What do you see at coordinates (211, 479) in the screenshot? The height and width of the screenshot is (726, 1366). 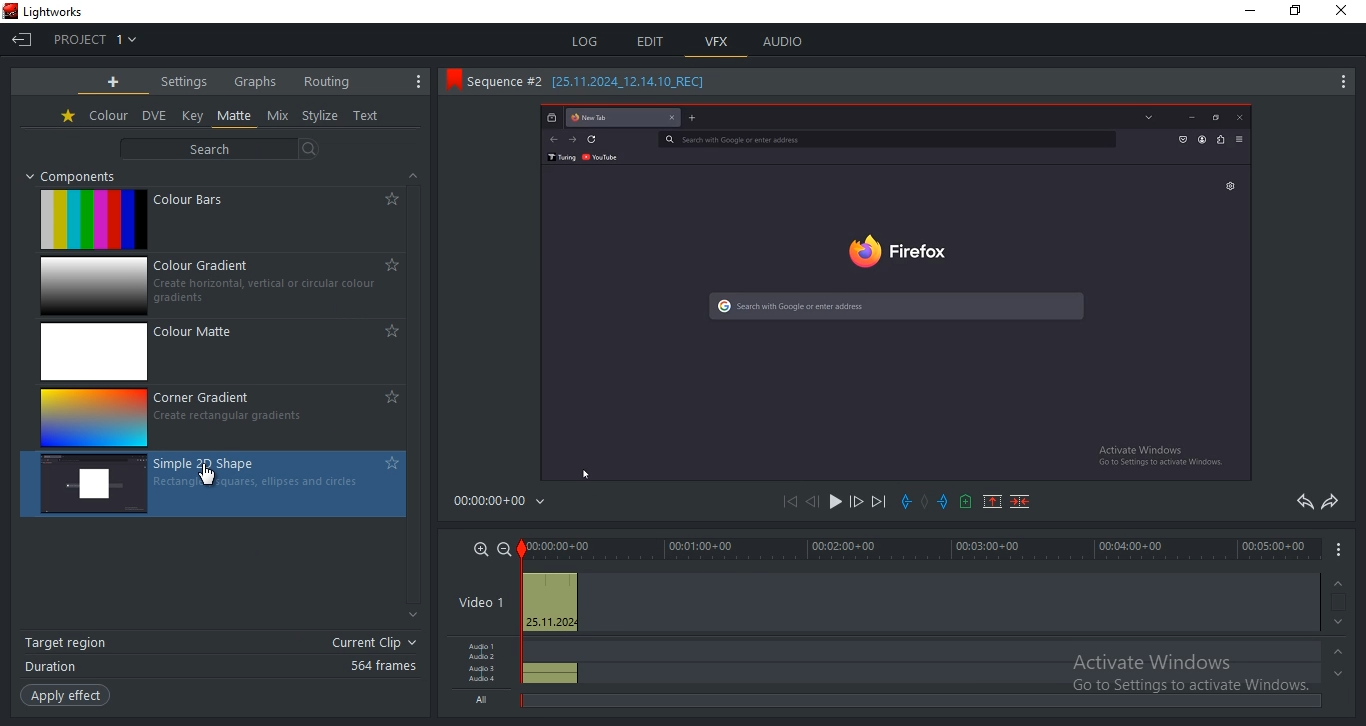 I see `cursor` at bounding box center [211, 479].